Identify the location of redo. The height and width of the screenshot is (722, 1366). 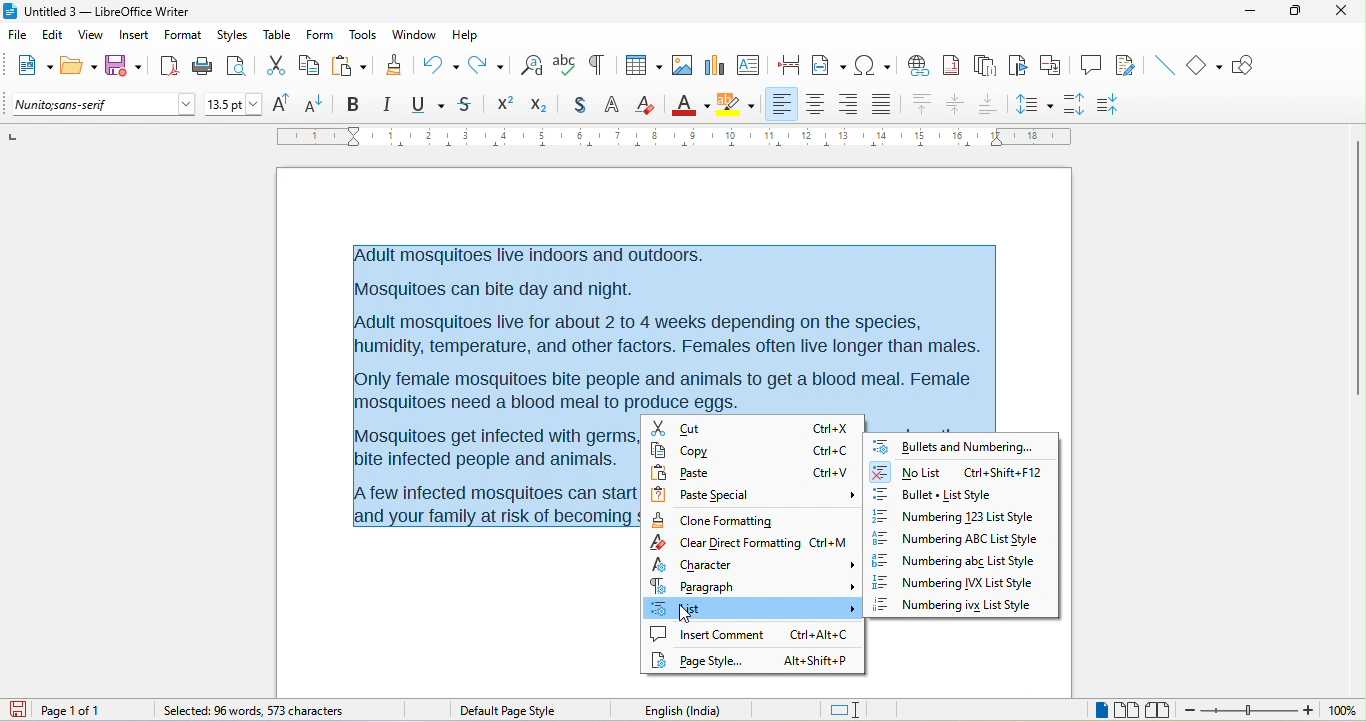
(489, 64).